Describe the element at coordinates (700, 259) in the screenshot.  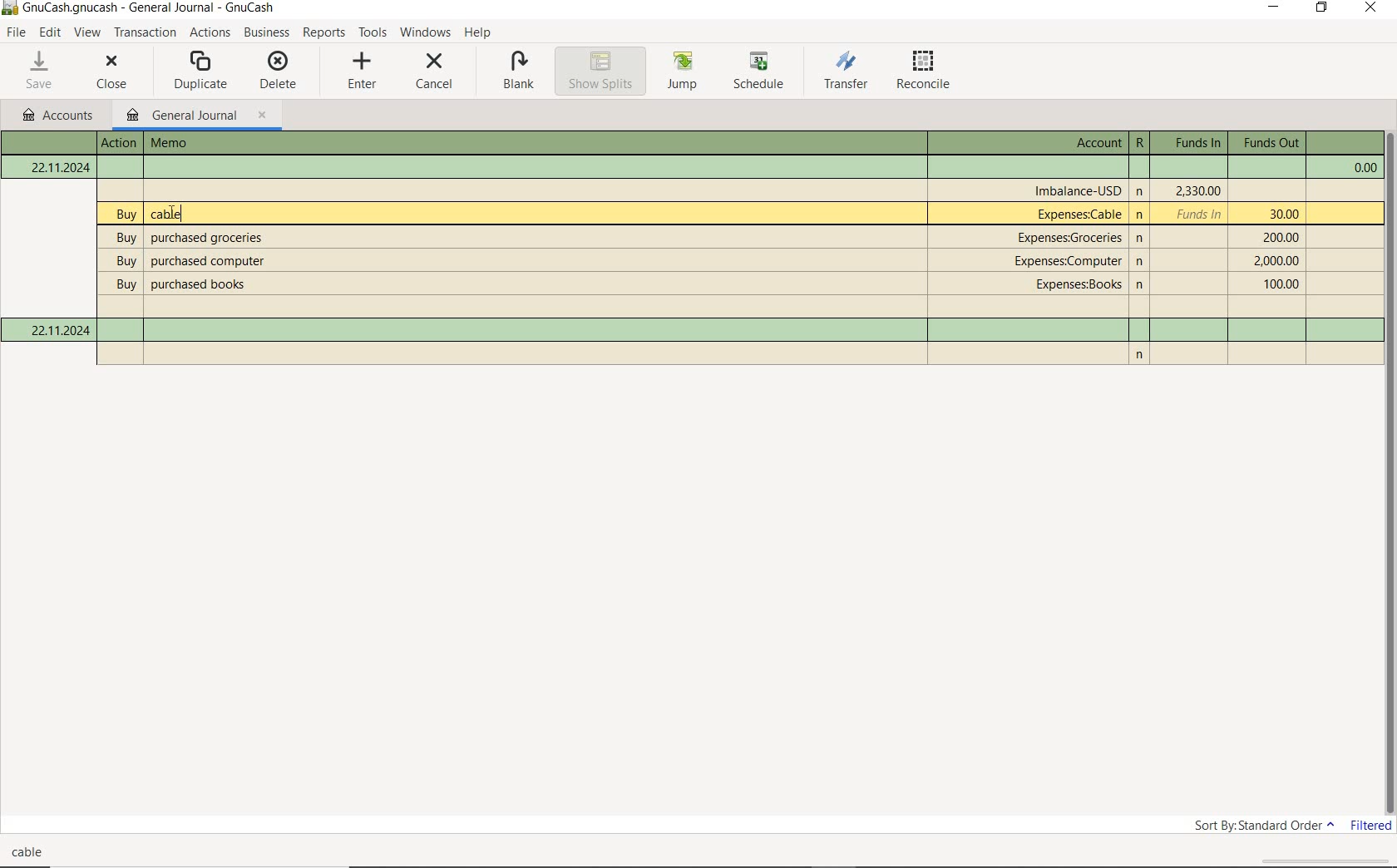
I see `Text` at that location.